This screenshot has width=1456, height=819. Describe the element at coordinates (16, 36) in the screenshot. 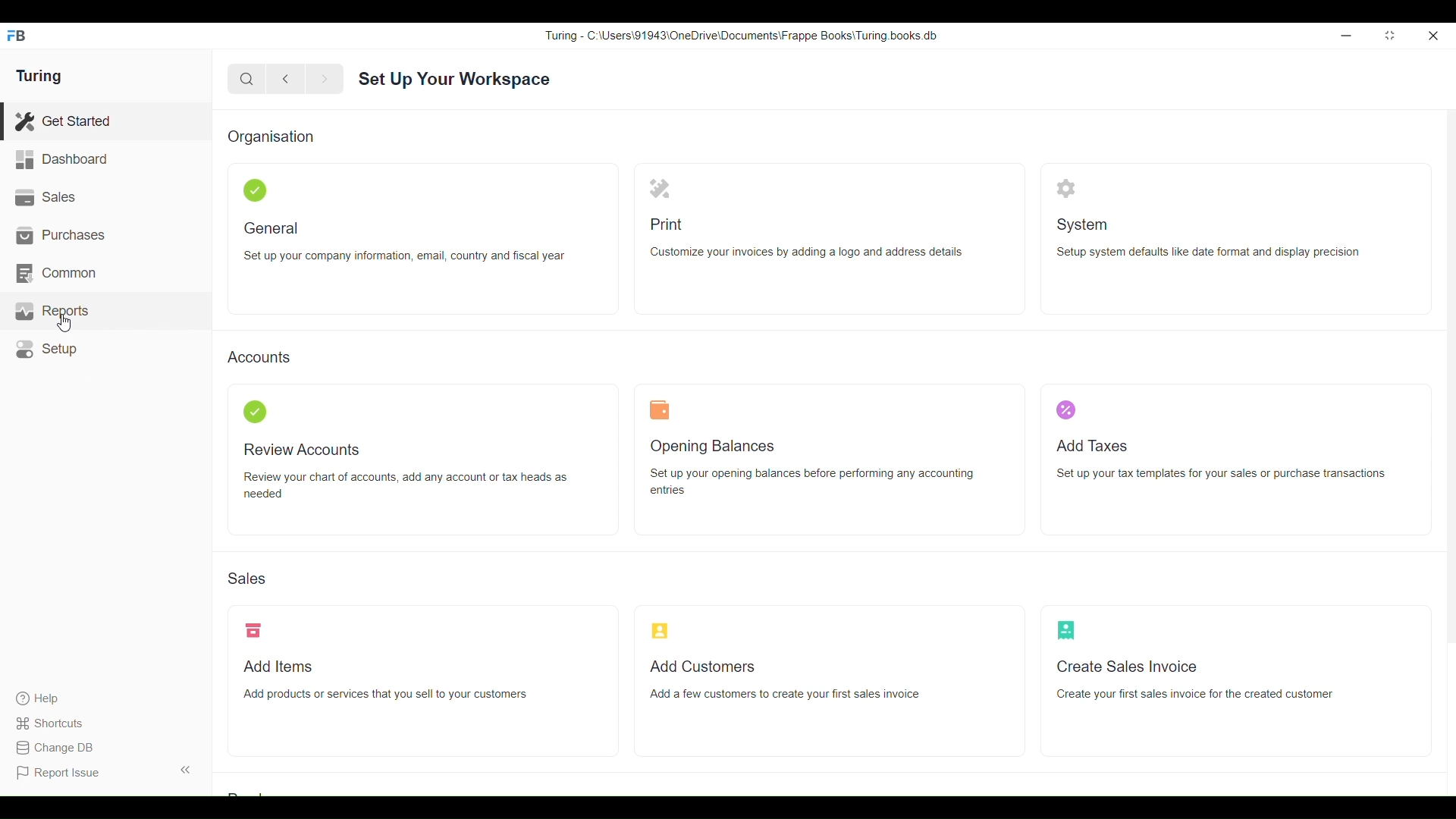

I see `Frappe Books logo` at that location.